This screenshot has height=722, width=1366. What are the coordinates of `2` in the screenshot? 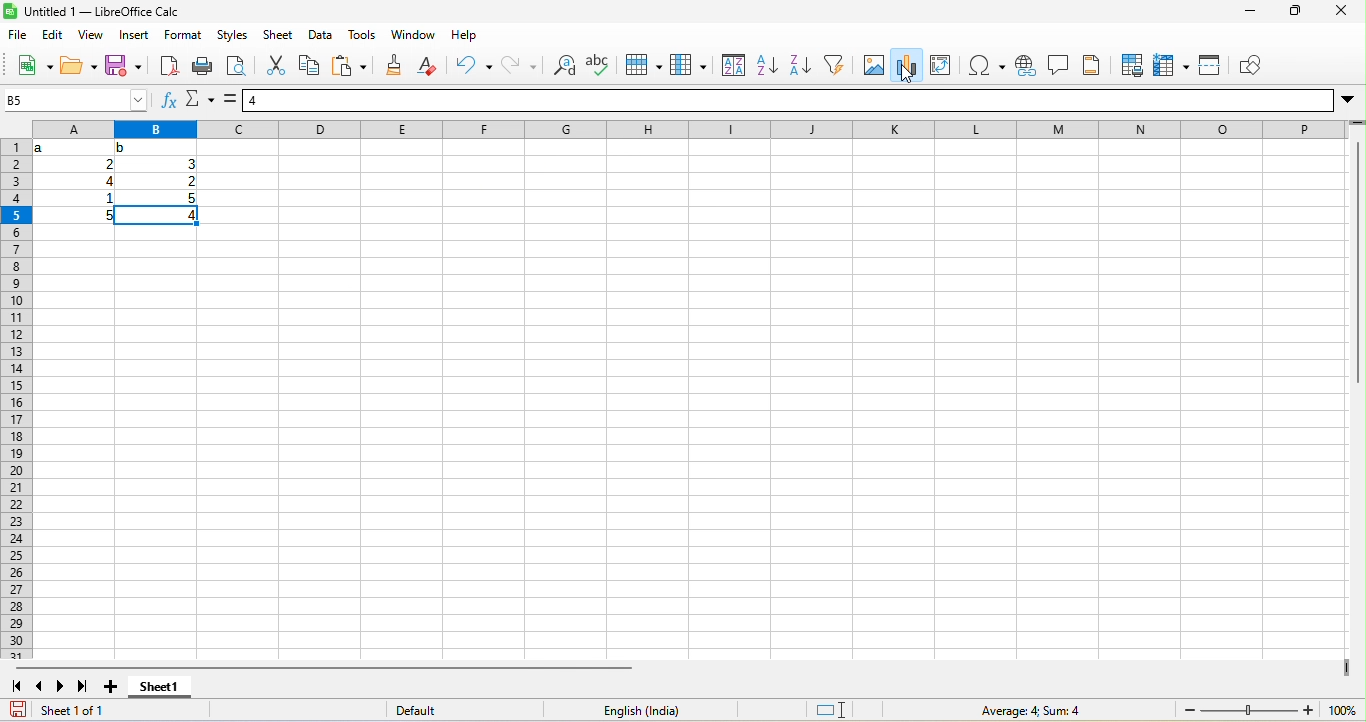 It's located at (107, 164).